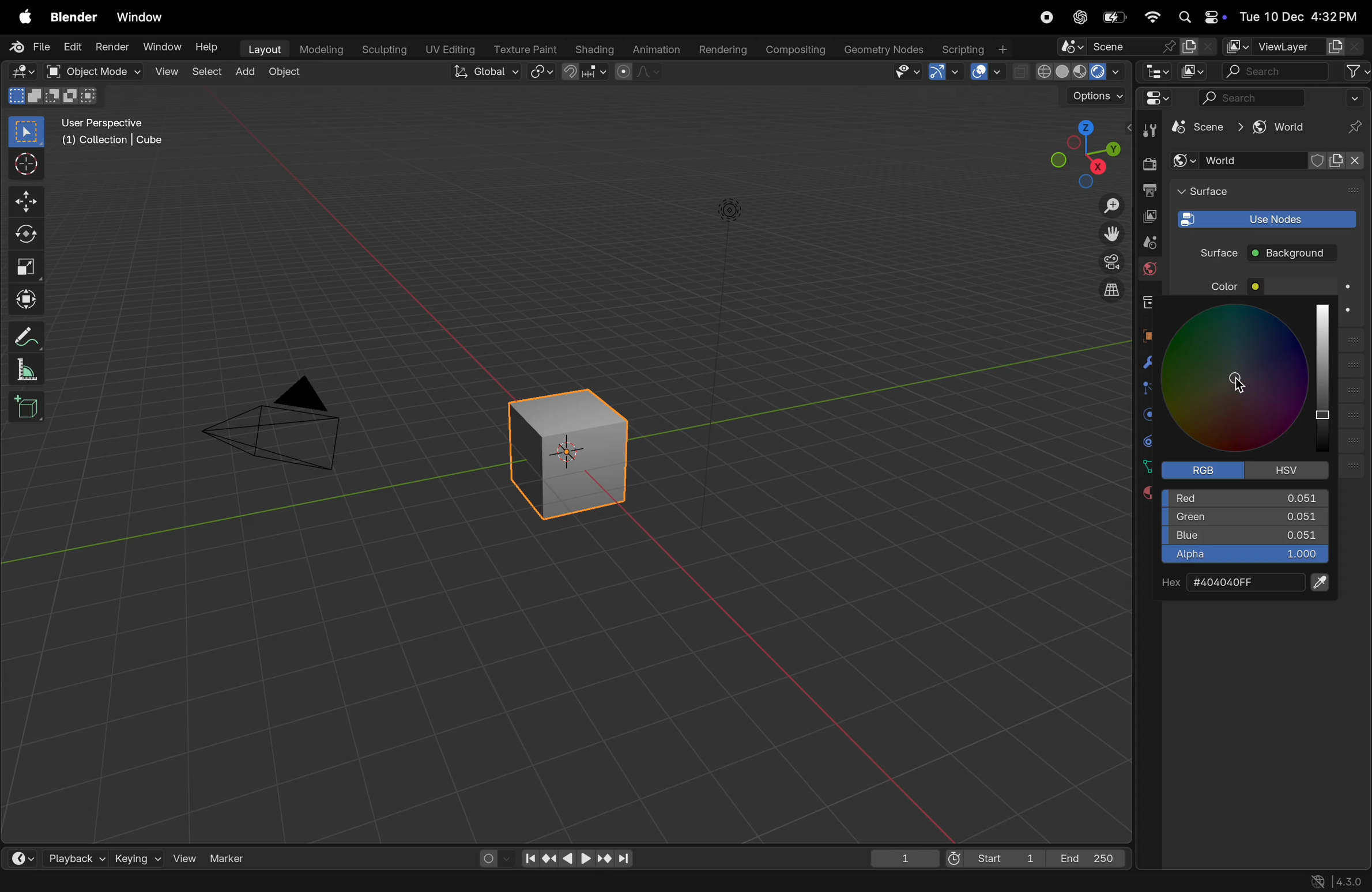 The height and width of the screenshot is (892, 1372). Describe the element at coordinates (206, 44) in the screenshot. I see `Help` at that location.